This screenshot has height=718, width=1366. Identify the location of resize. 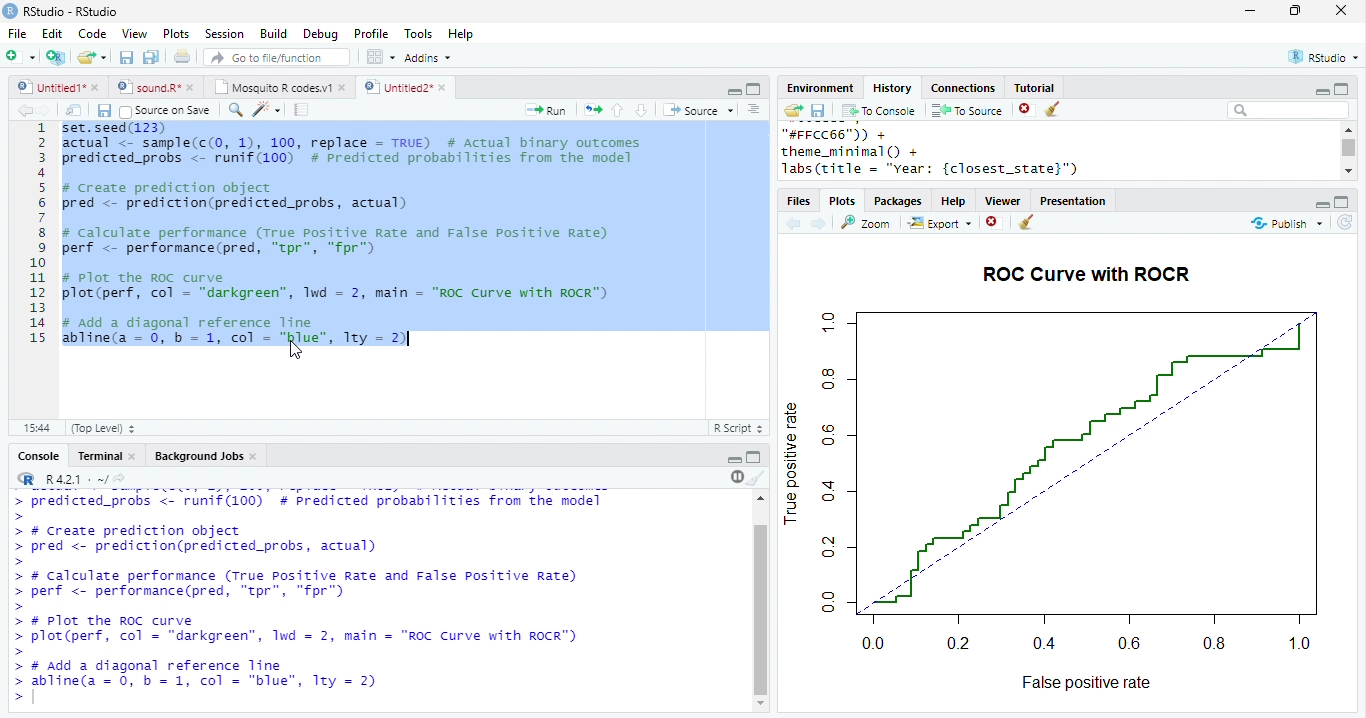
(1295, 11).